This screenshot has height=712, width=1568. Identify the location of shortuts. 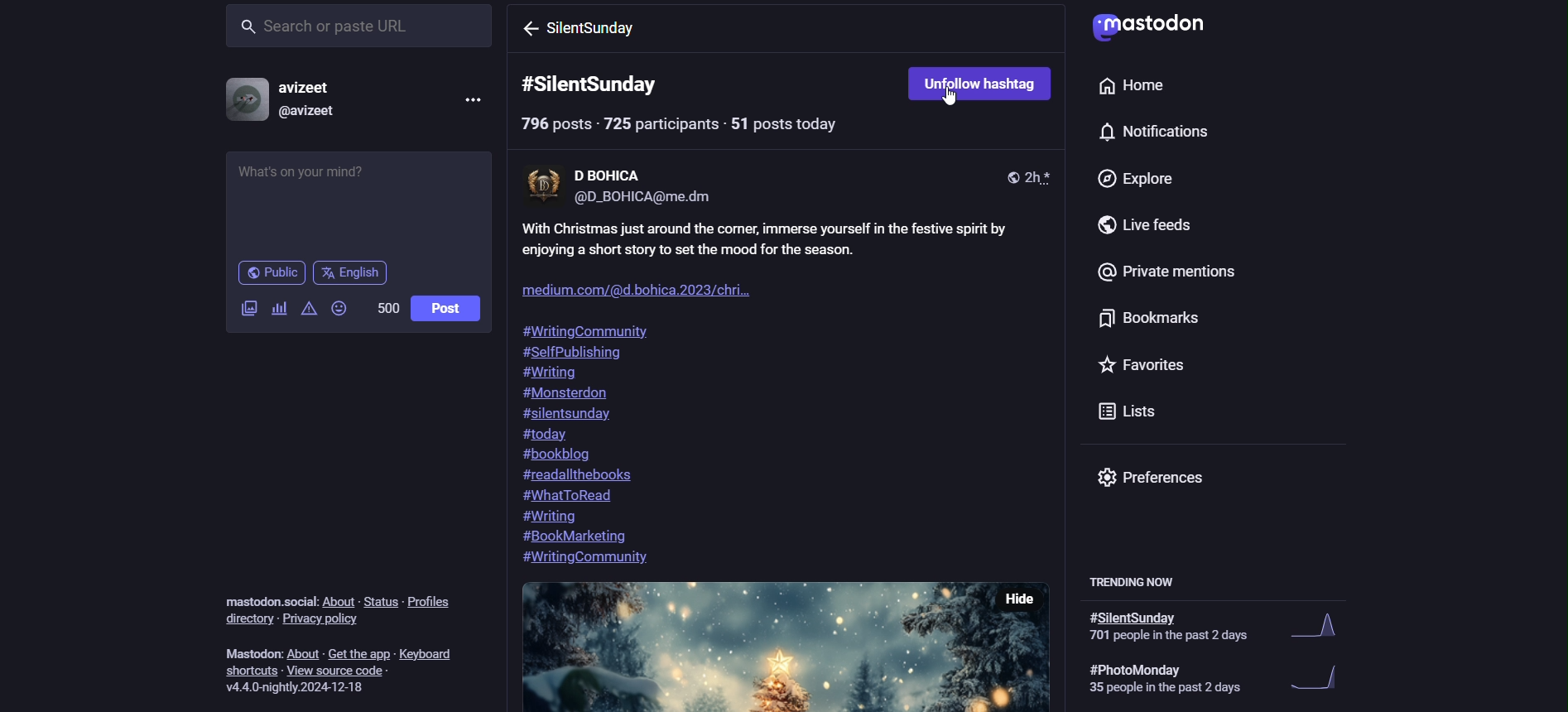
(253, 671).